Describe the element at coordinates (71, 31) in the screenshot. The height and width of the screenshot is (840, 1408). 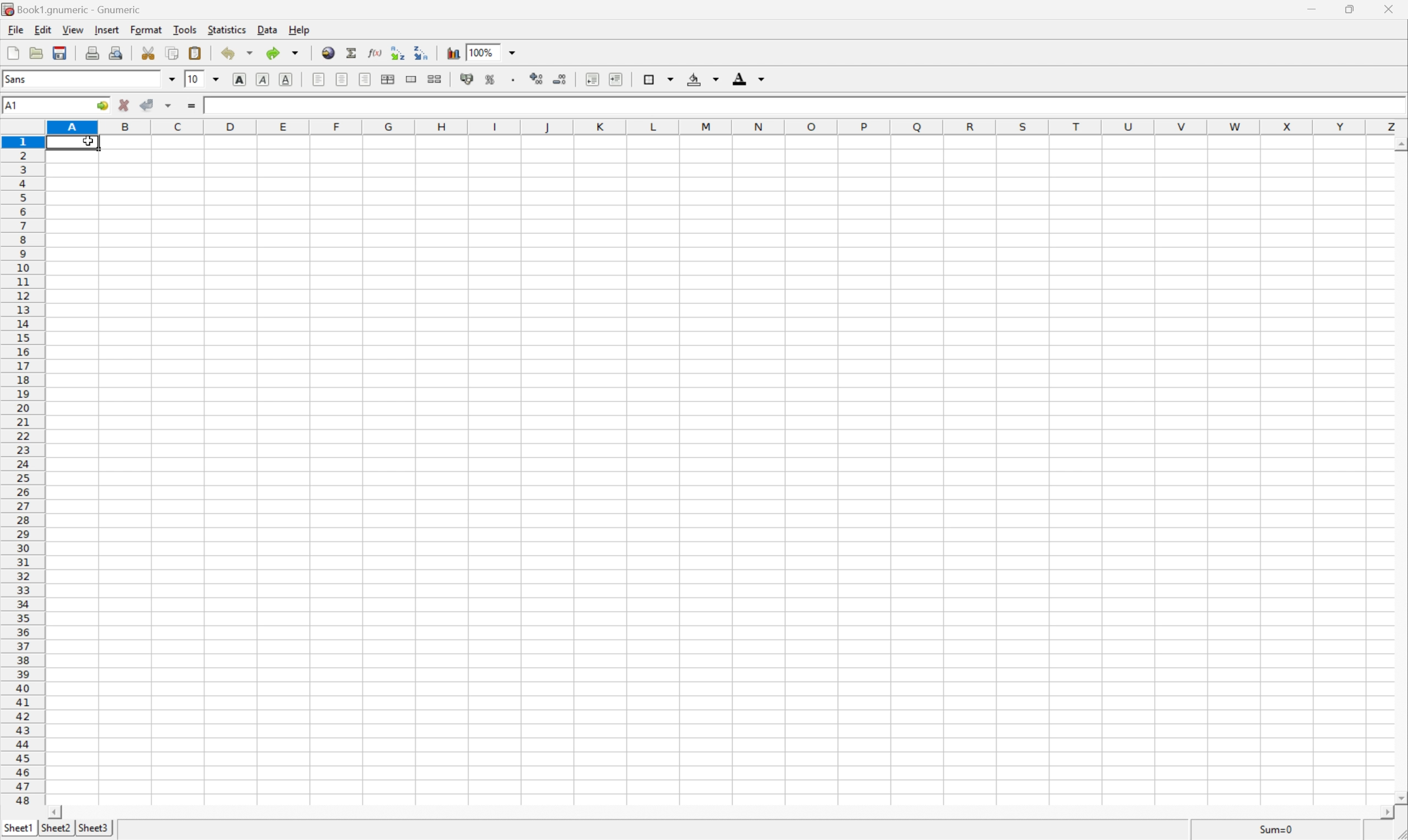
I see `view` at that location.